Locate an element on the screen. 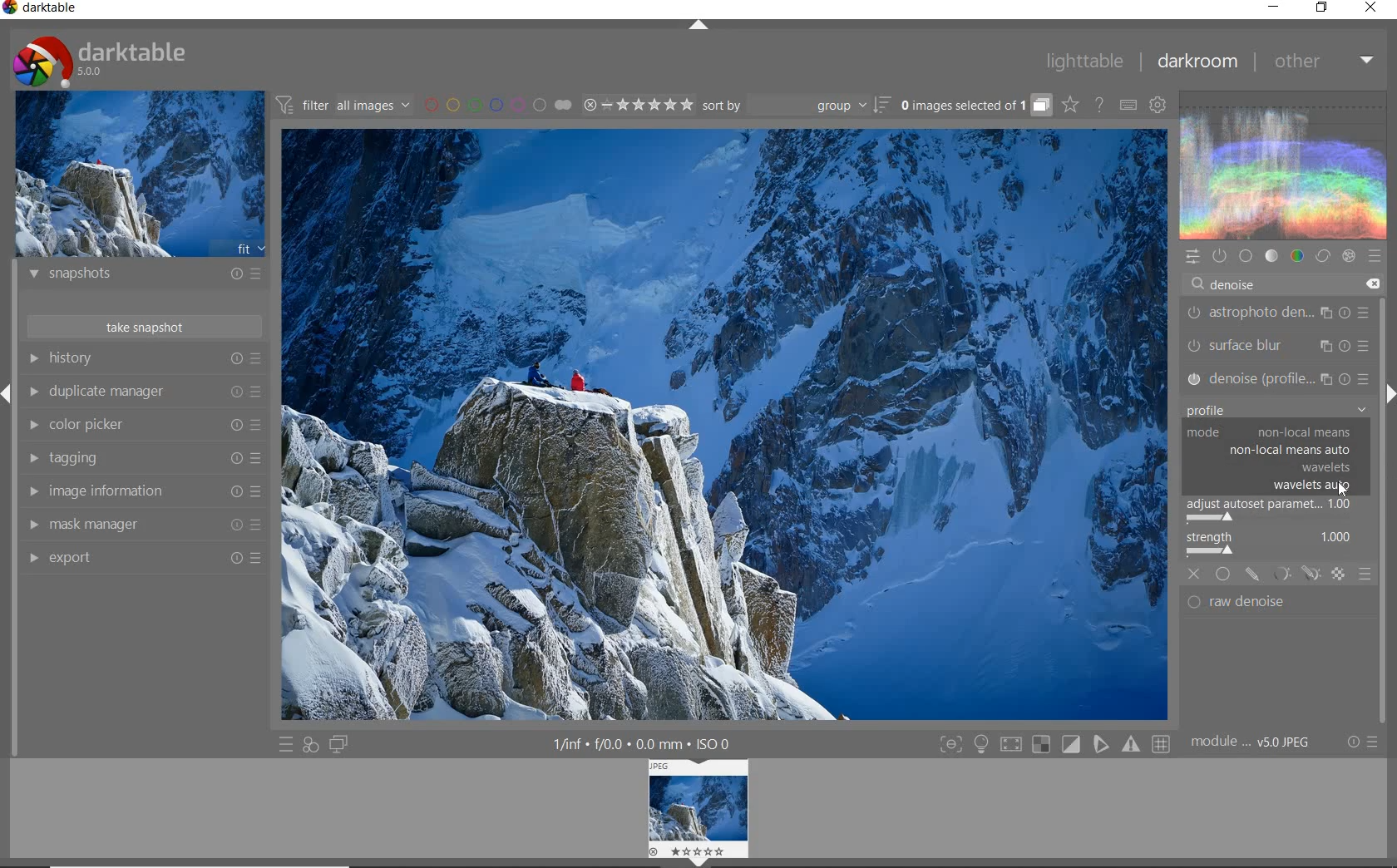 The height and width of the screenshot is (868, 1397). other is located at coordinates (1322, 62).